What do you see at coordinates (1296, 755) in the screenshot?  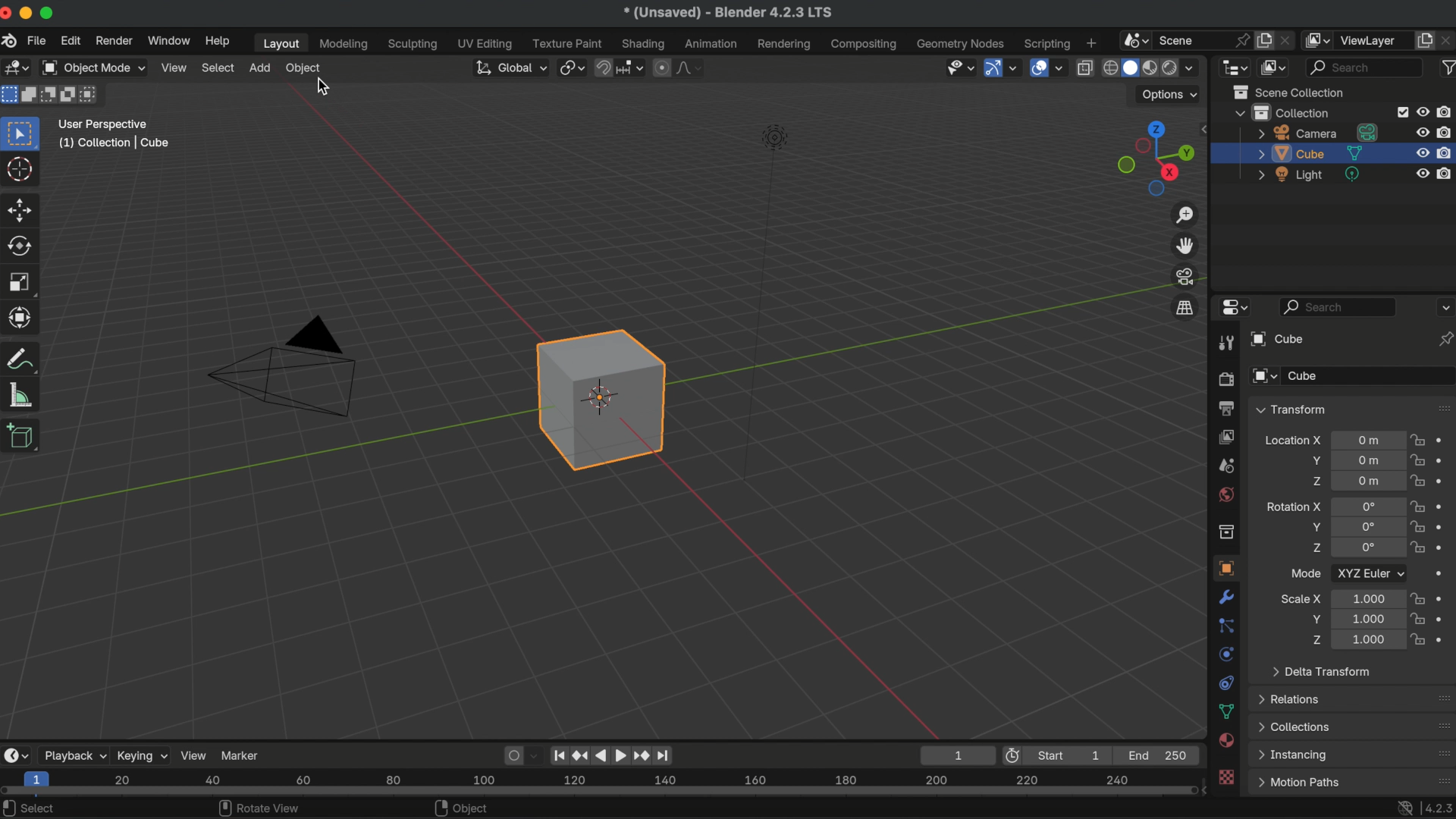 I see `instancing` at bounding box center [1296, 755].